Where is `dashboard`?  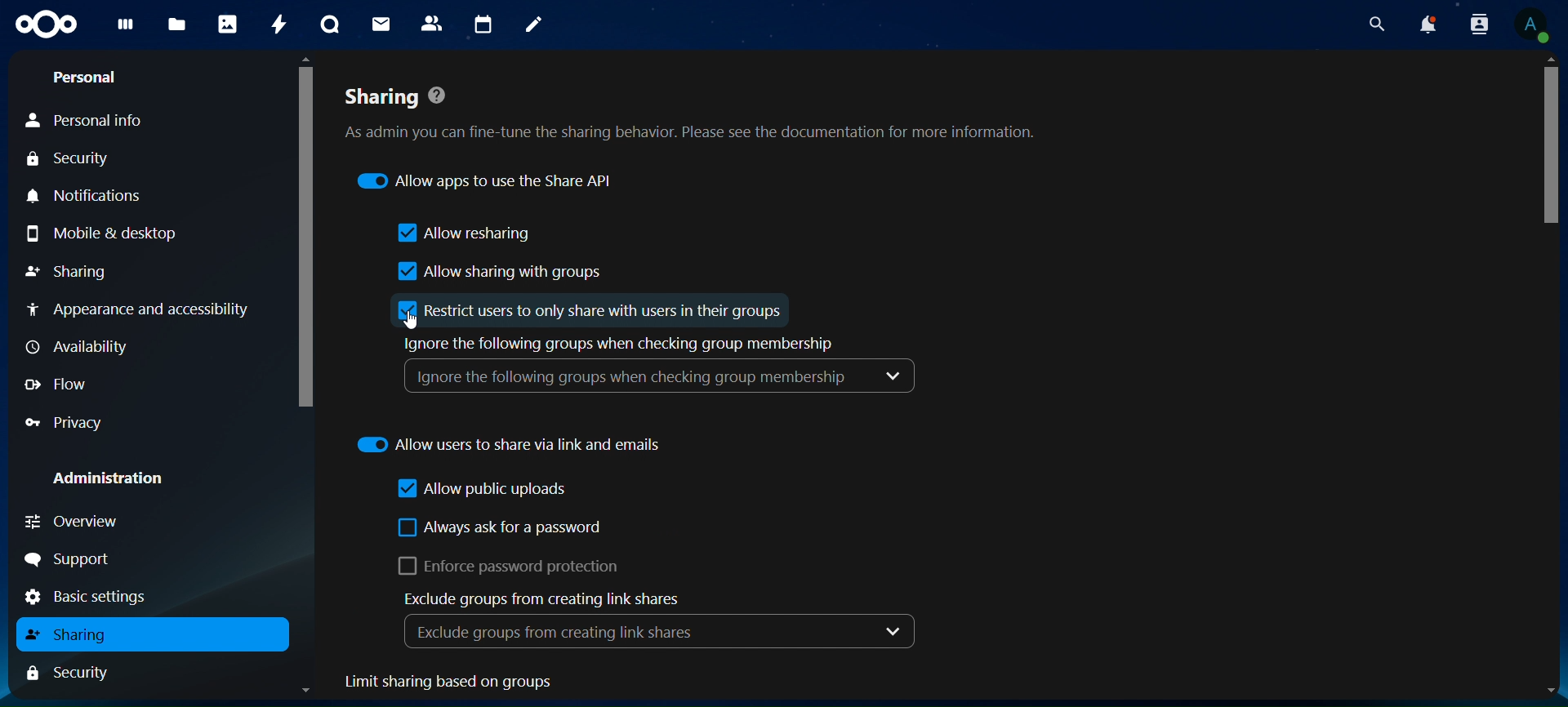 dashboard is located at coordinates (124, 27).